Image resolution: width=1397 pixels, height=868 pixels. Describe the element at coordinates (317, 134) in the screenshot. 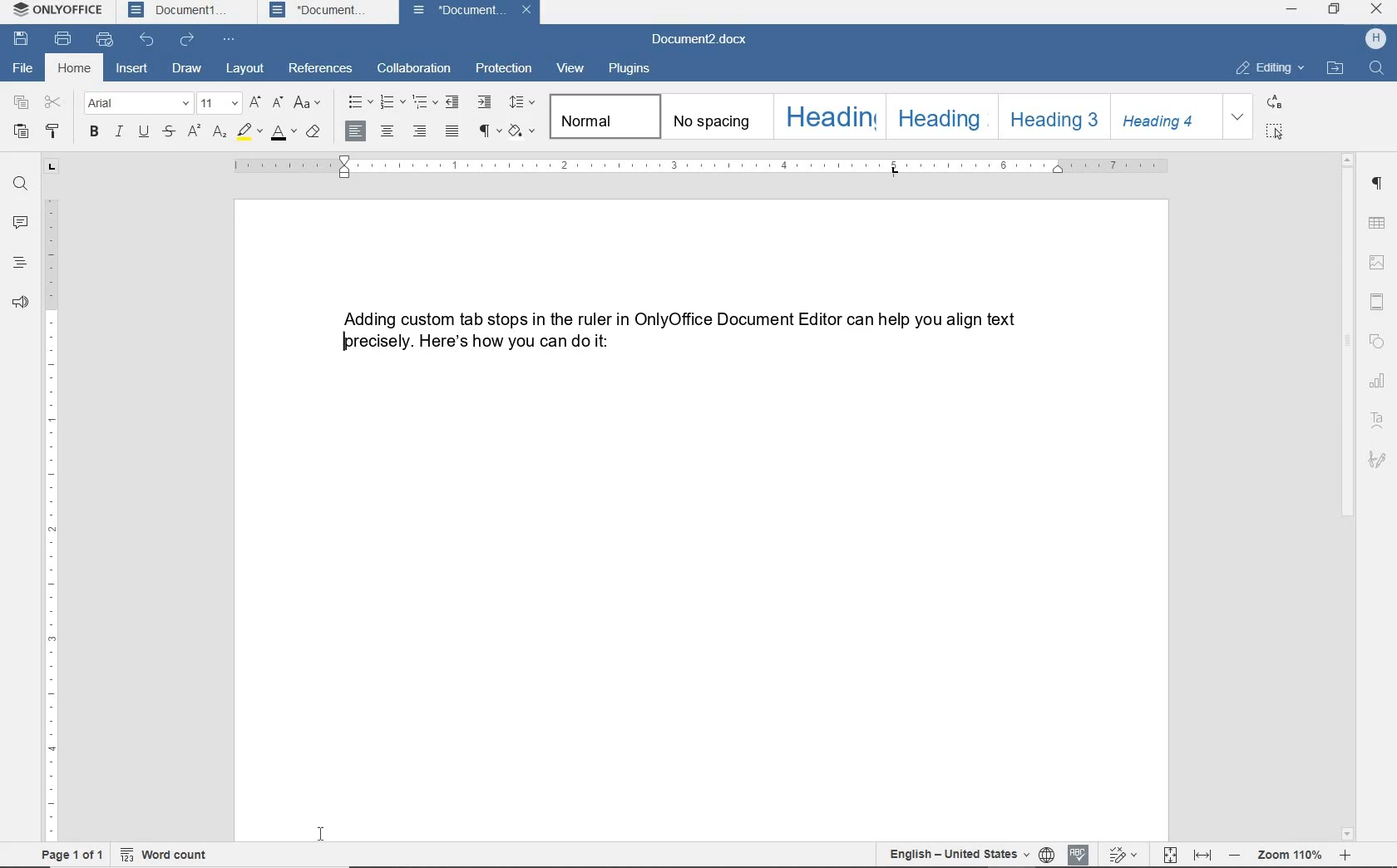

I see `clear style` at that location.